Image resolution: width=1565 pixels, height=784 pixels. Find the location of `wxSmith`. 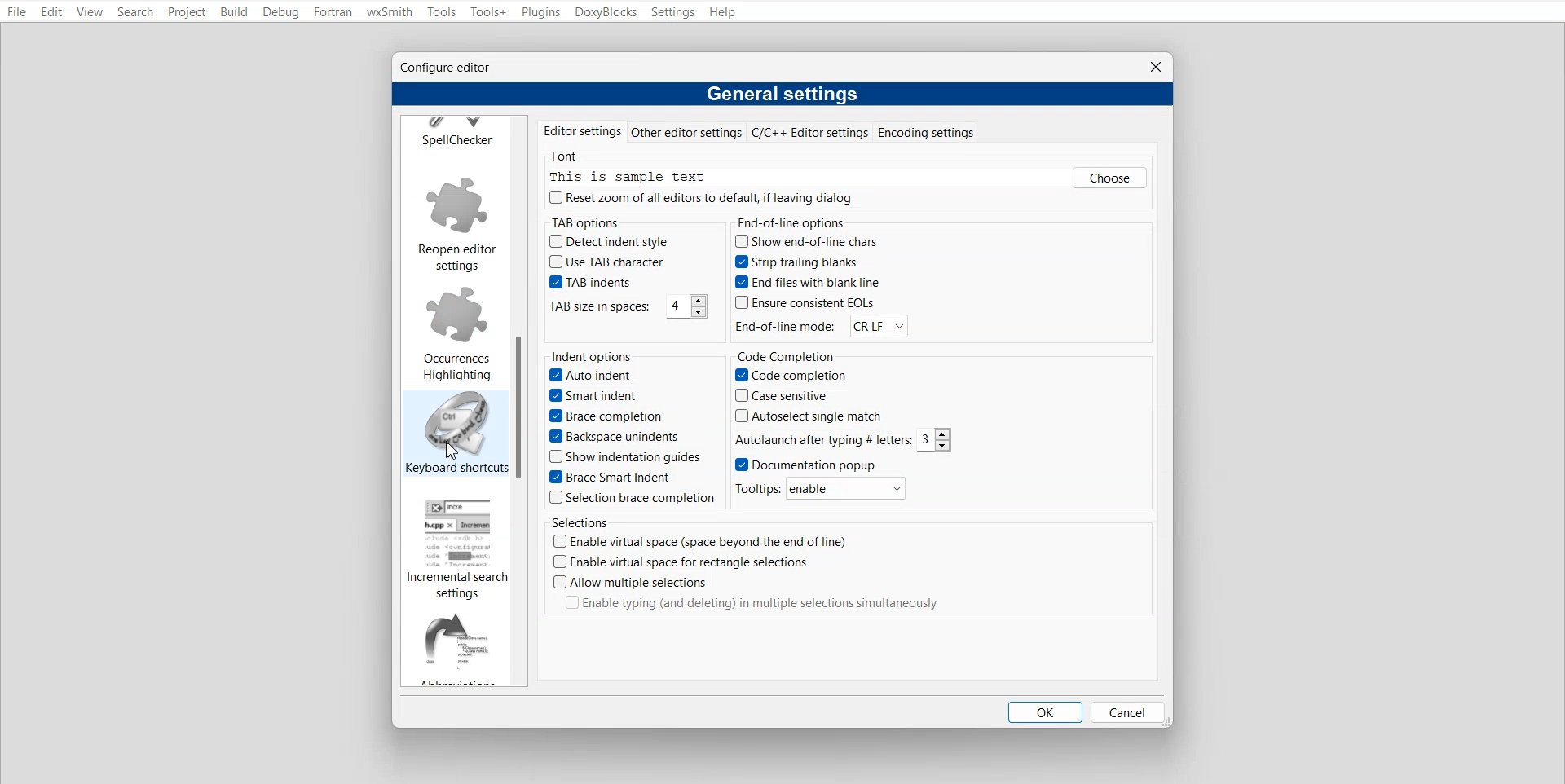

wxSmith is located at coordinates (389, 11).